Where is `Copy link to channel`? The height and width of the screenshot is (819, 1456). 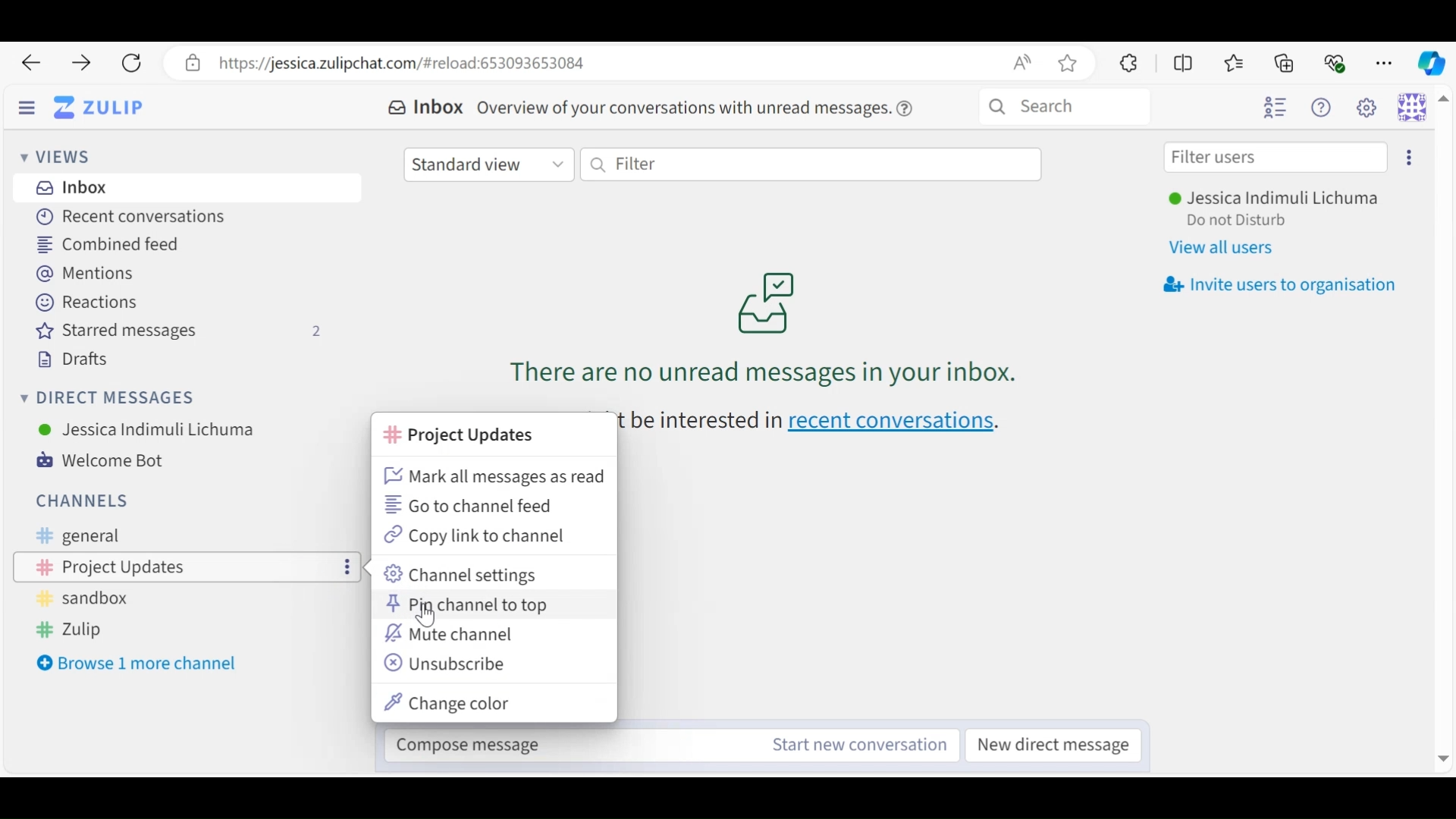
Copy link to channel is located at coordinates (480, 534).